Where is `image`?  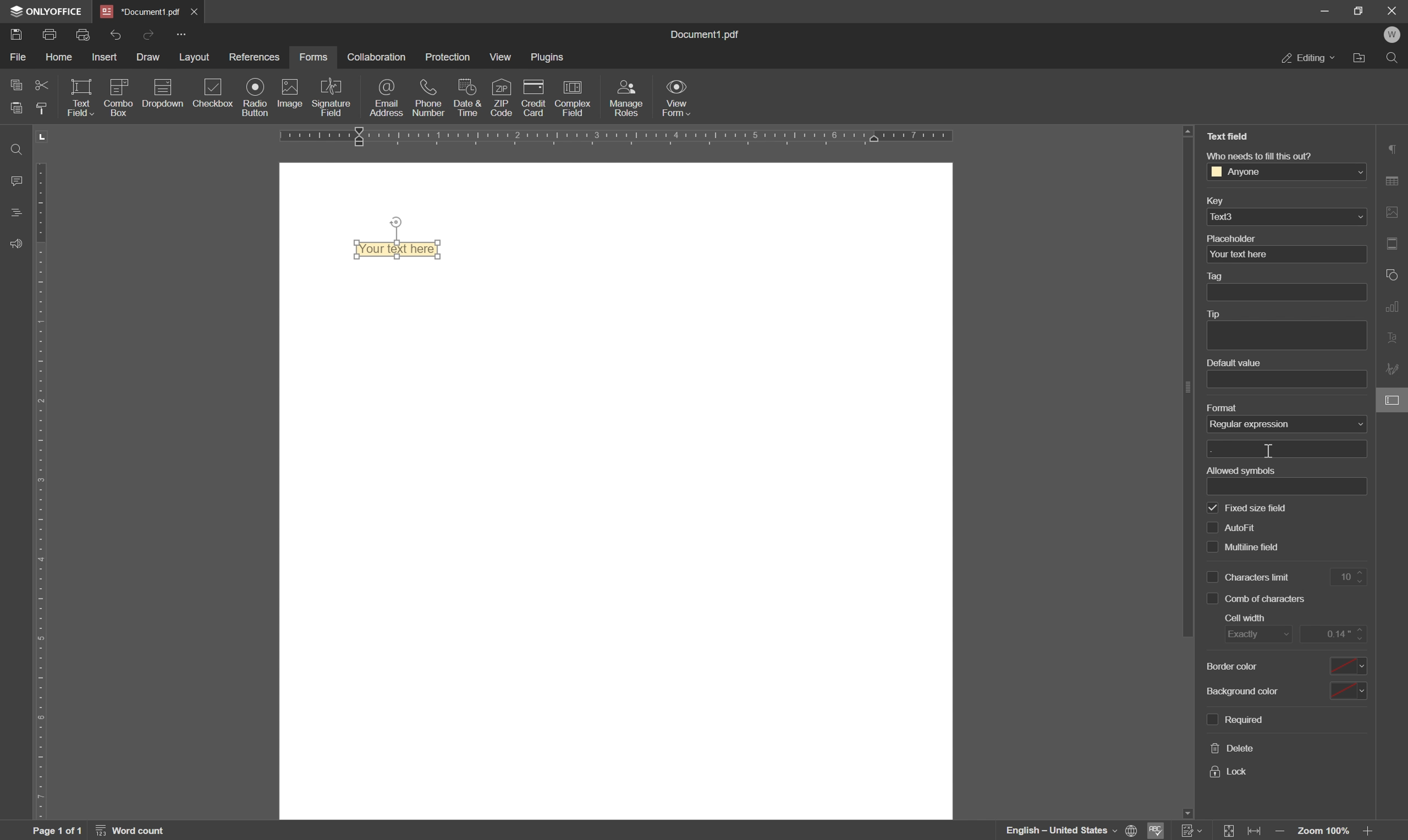
image is located at coordinates (289, 94).